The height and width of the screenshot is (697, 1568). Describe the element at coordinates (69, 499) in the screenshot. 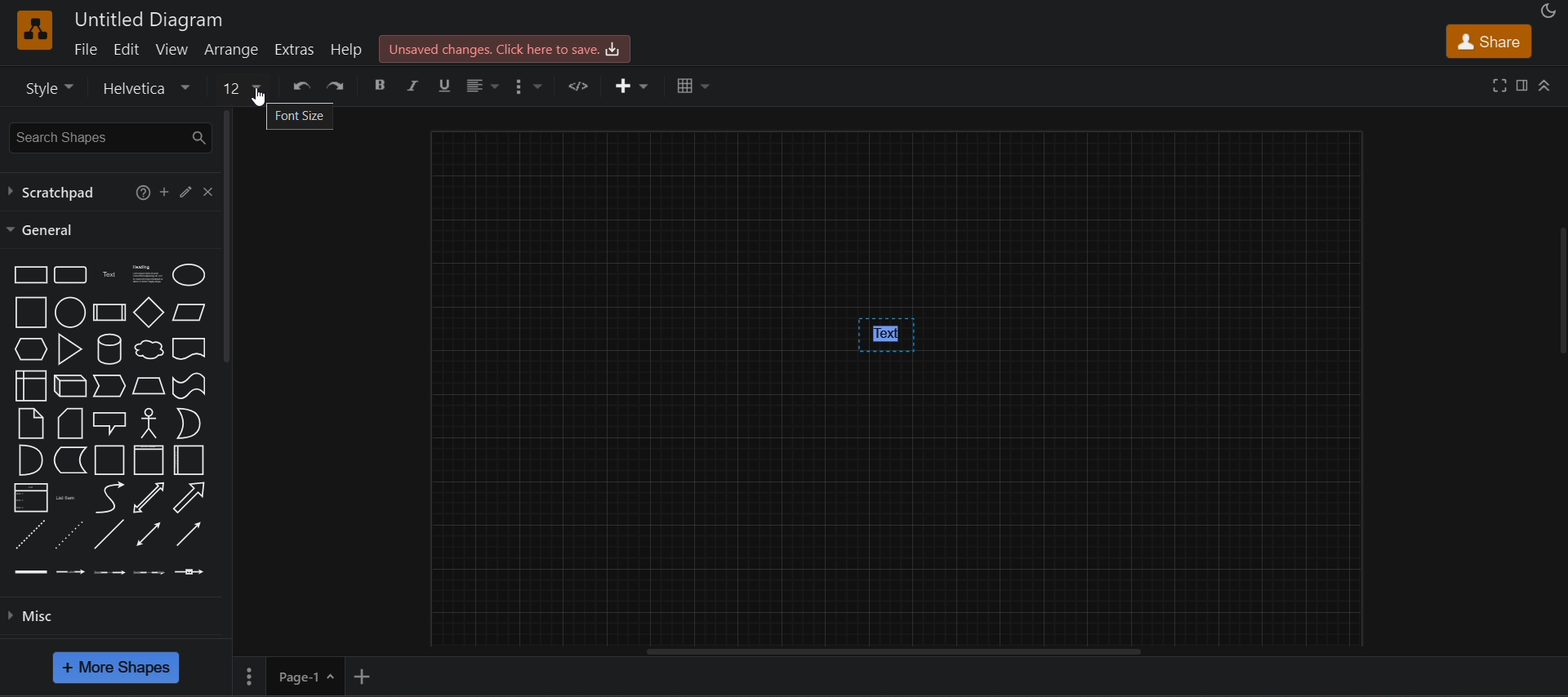

I see `List item` at that location.